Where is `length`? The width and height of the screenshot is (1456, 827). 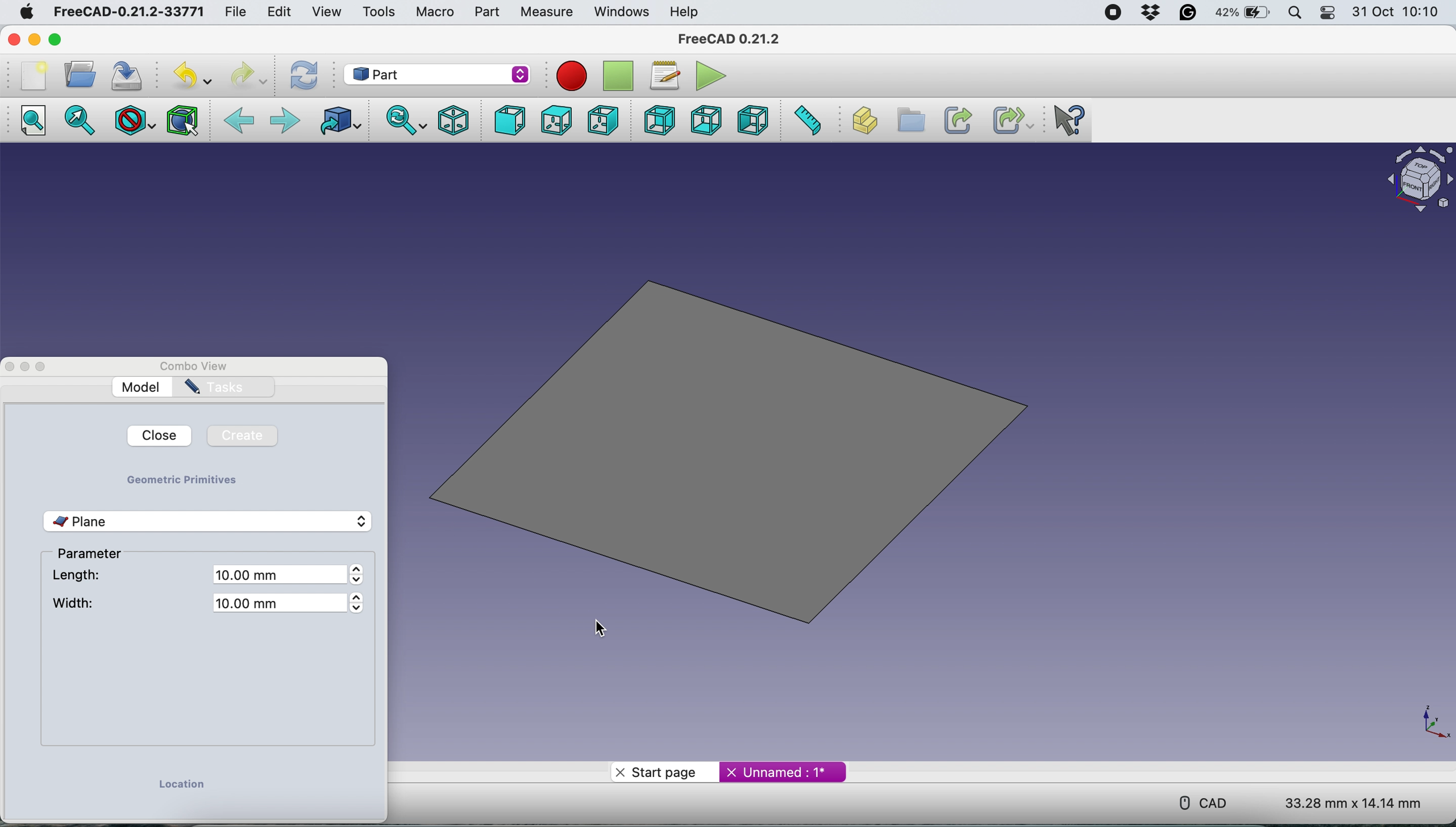 length is located at coordinates (77, 577).